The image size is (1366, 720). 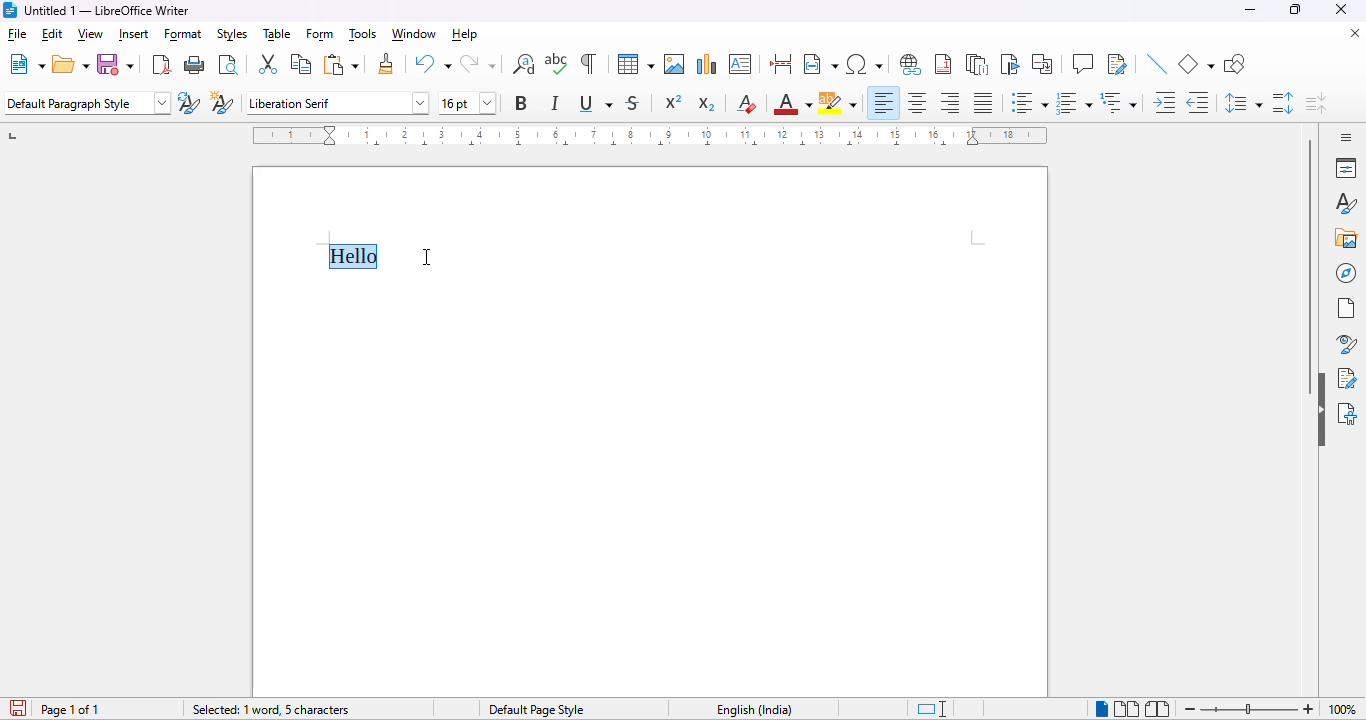 What do you see at coordinates (978, 66) in the screenshot?
I see `insert endnote` at bounding box center [978, 66].